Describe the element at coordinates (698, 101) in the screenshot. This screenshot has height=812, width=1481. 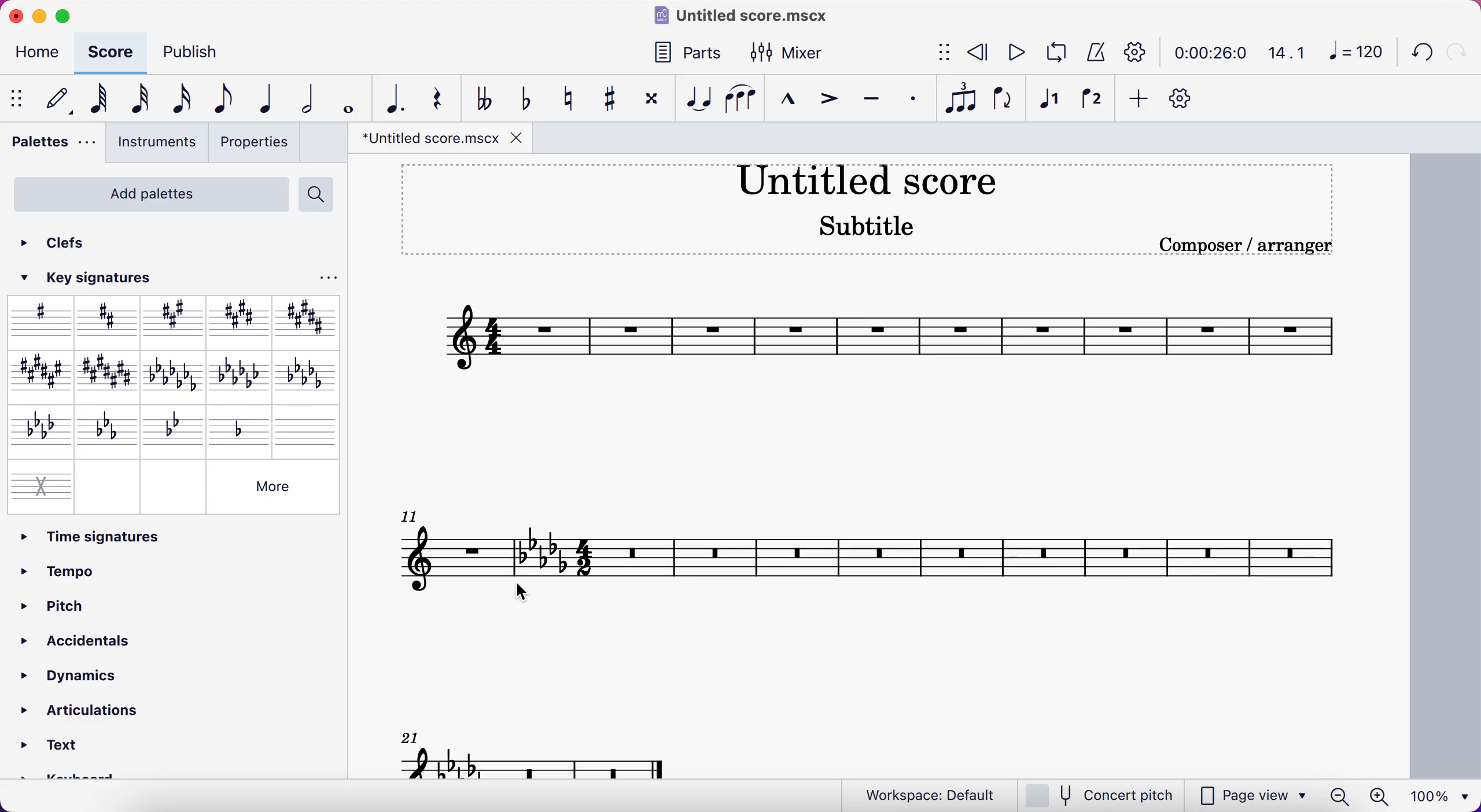
I see `tie` at that location.